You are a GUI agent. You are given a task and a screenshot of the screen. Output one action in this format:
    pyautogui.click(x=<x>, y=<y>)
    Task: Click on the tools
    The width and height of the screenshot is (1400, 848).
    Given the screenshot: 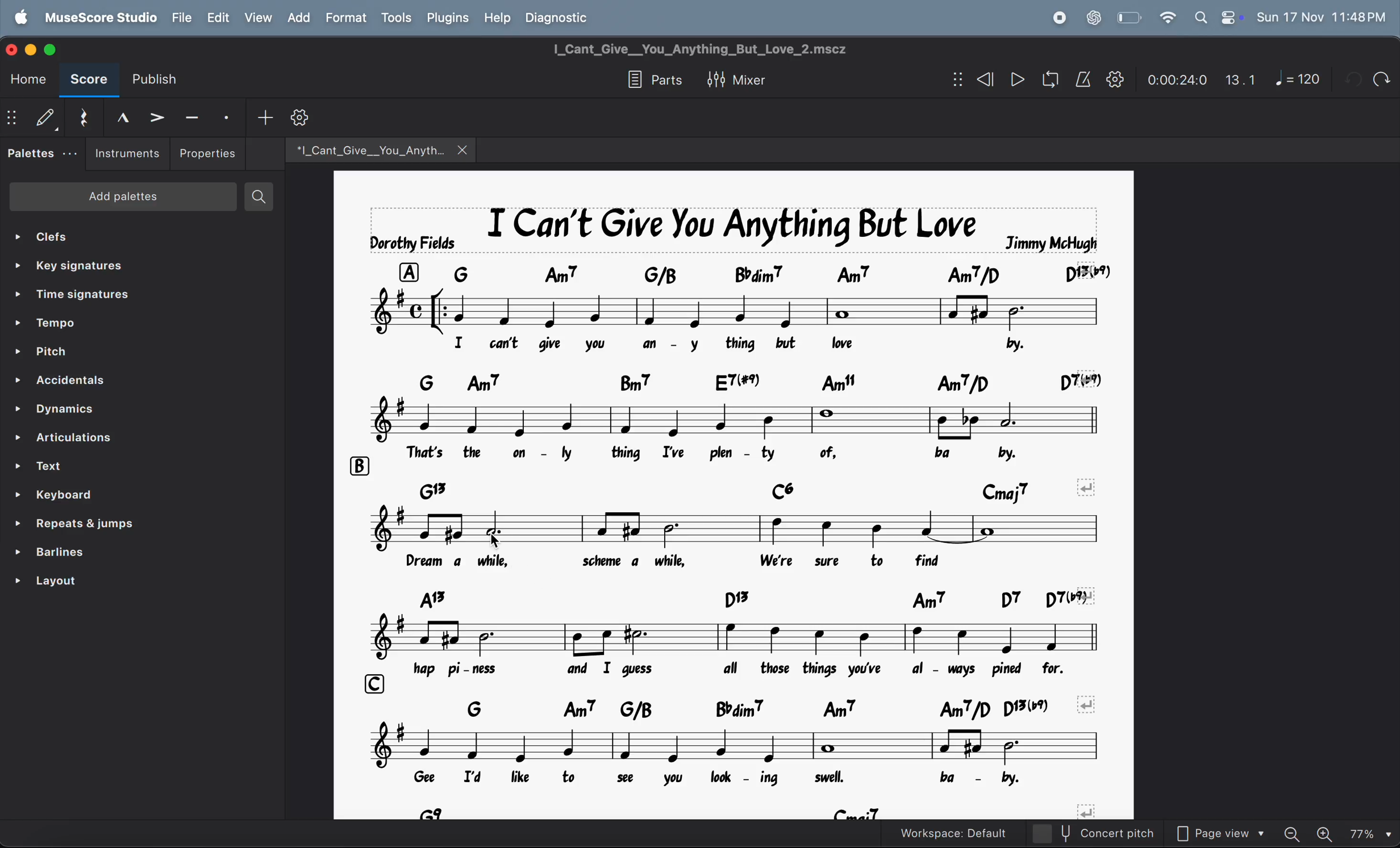 What is the action you would take?
    pyautogui.click(x=396, y=18)
    